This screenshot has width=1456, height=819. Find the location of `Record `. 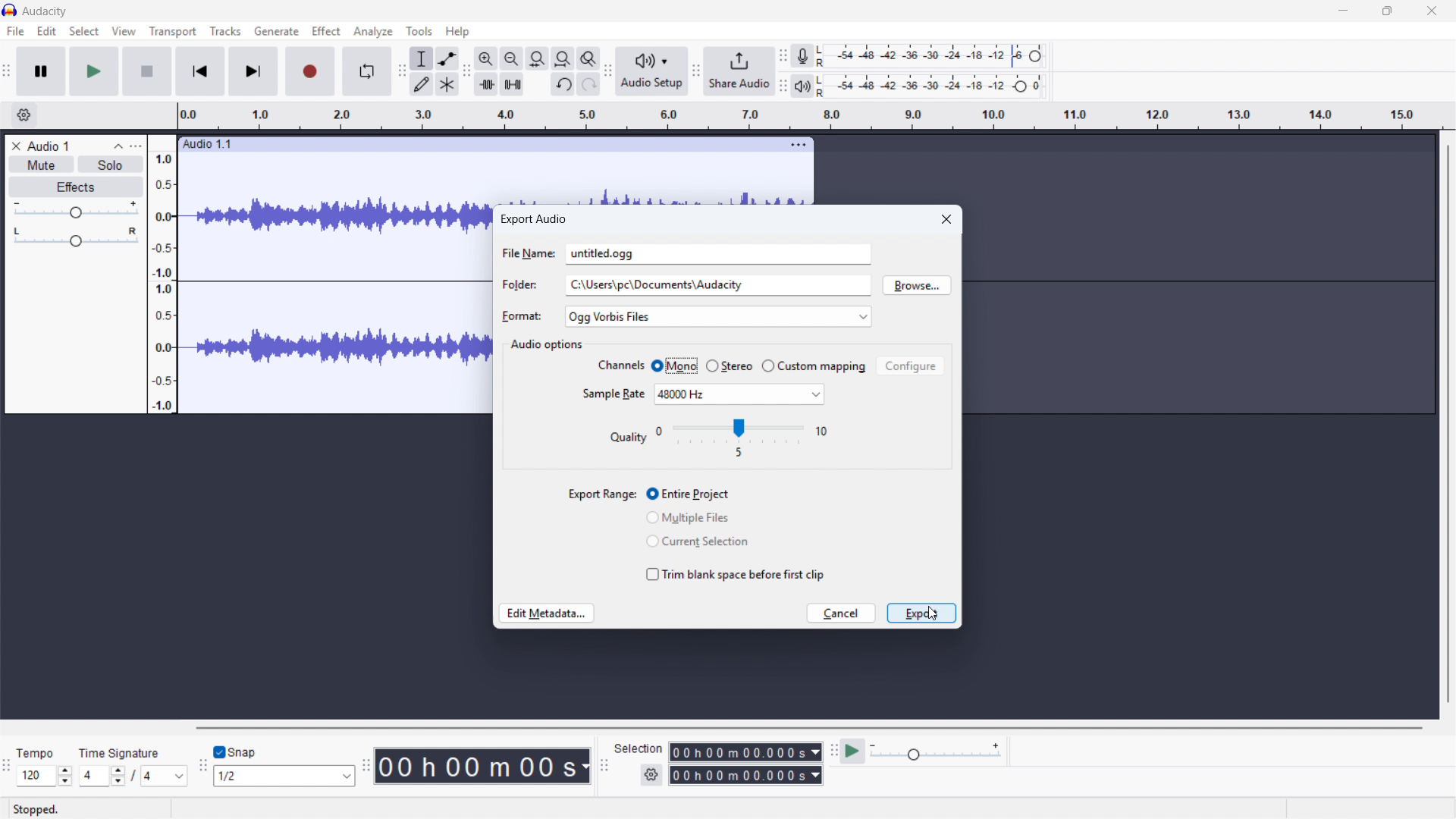

Record  is located at coordinates (310, 71).